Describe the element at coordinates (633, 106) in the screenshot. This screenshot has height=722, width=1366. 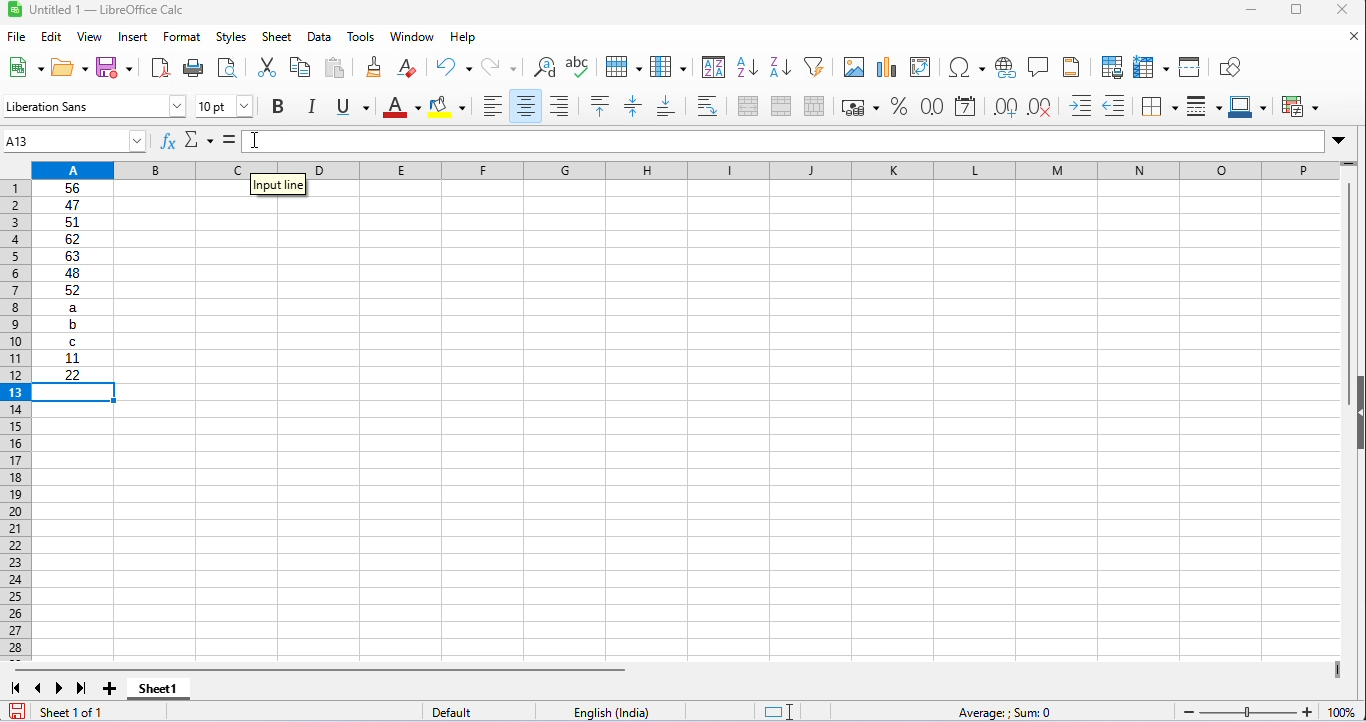
I see `center vertically` at that location.